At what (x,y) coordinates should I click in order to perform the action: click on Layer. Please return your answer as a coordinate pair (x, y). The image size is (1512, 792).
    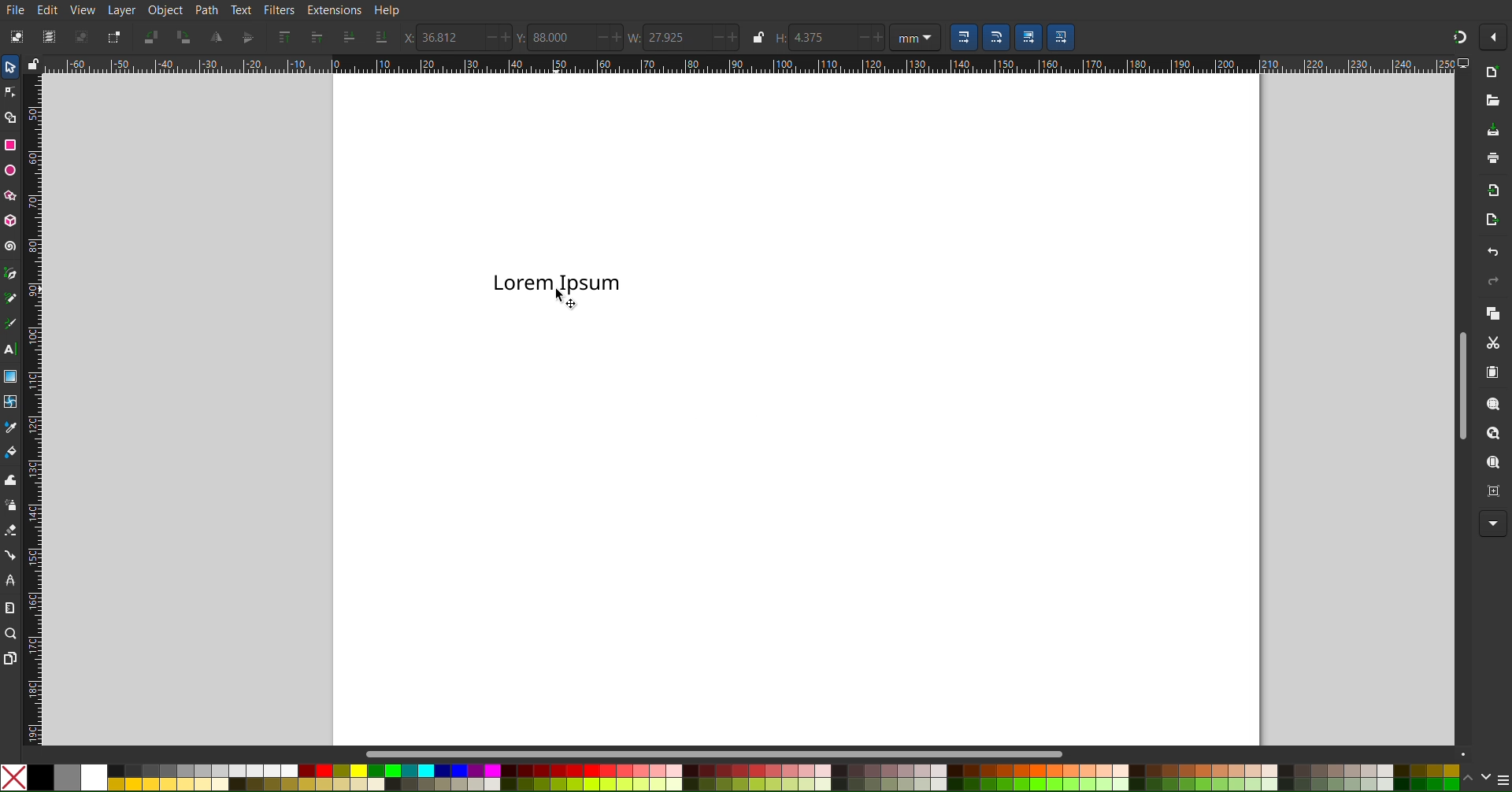
    Looking at the image, I should click on (122, 10).